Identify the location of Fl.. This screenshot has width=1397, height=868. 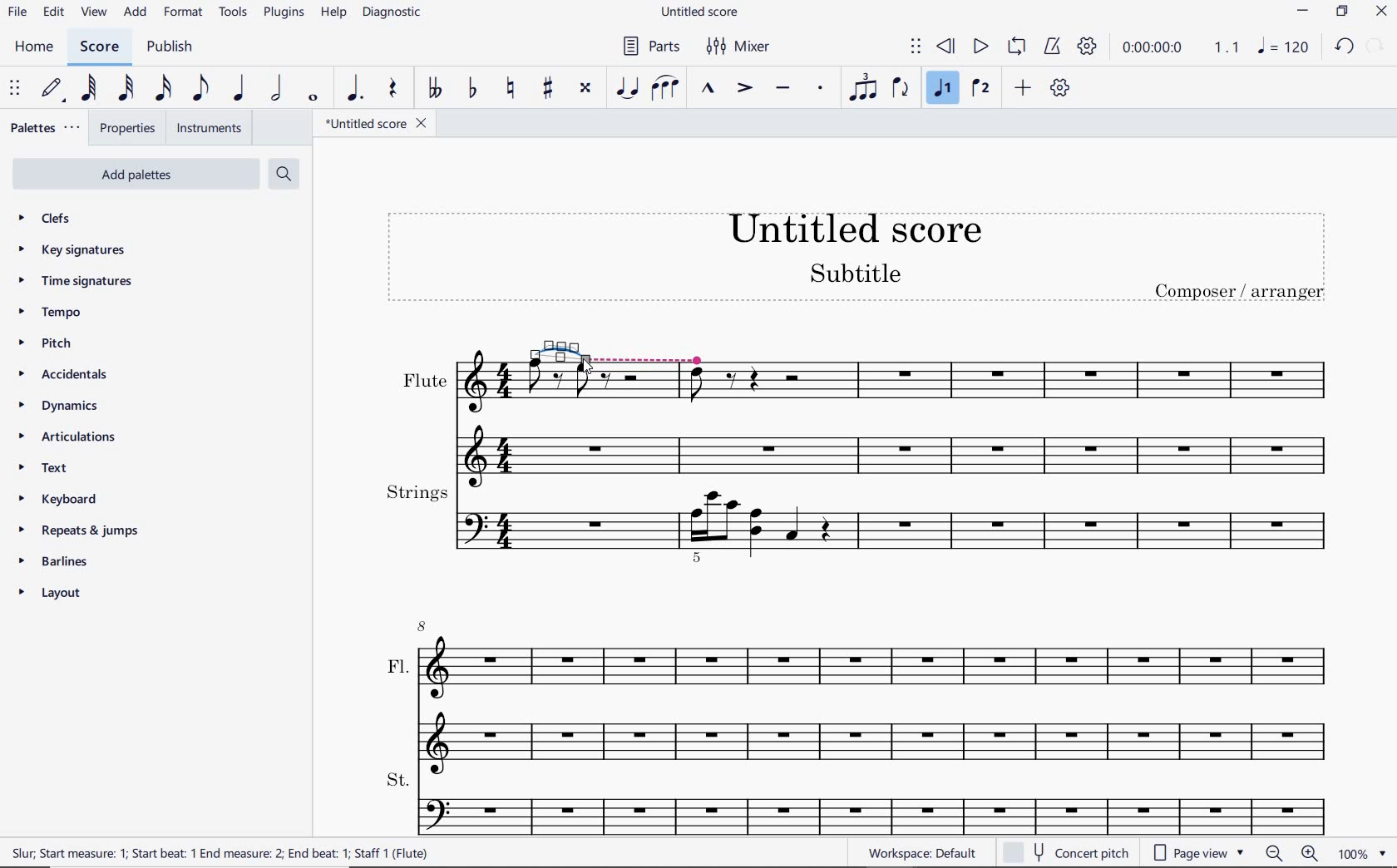
(861, 691).